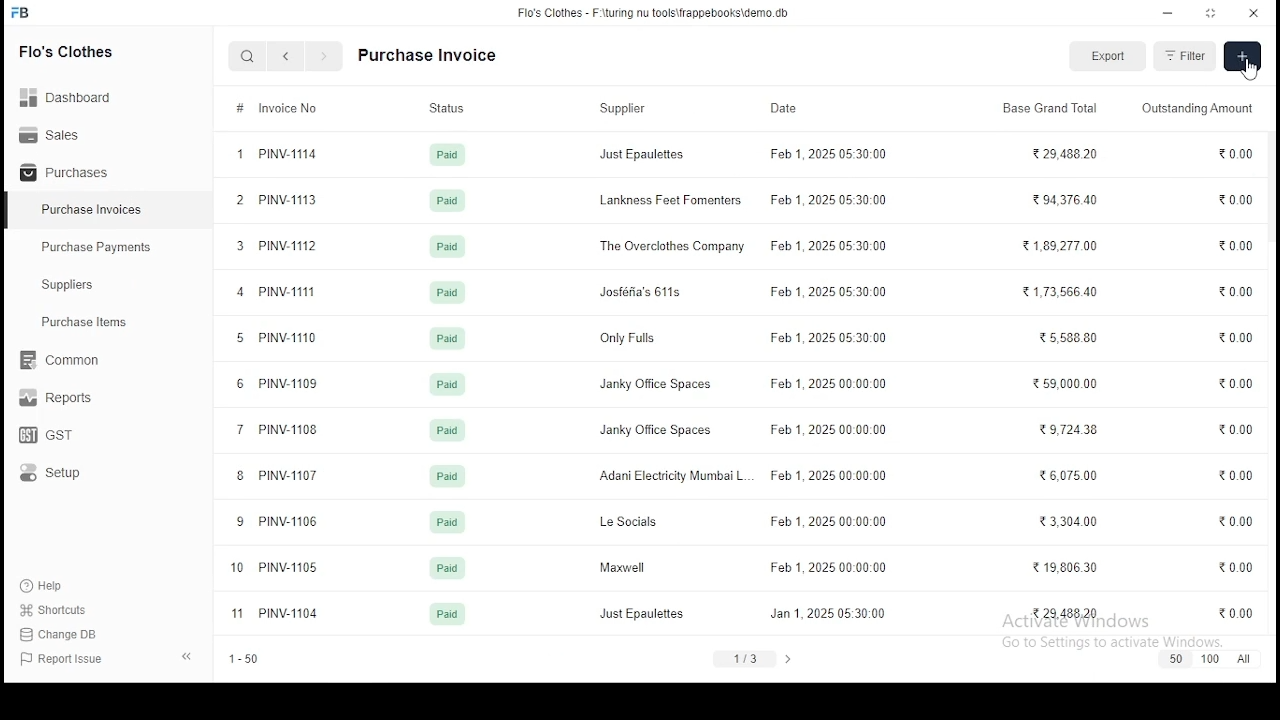 The width and height of the screenshot is (1280, 720). I want to click on #, so click(241, 109).